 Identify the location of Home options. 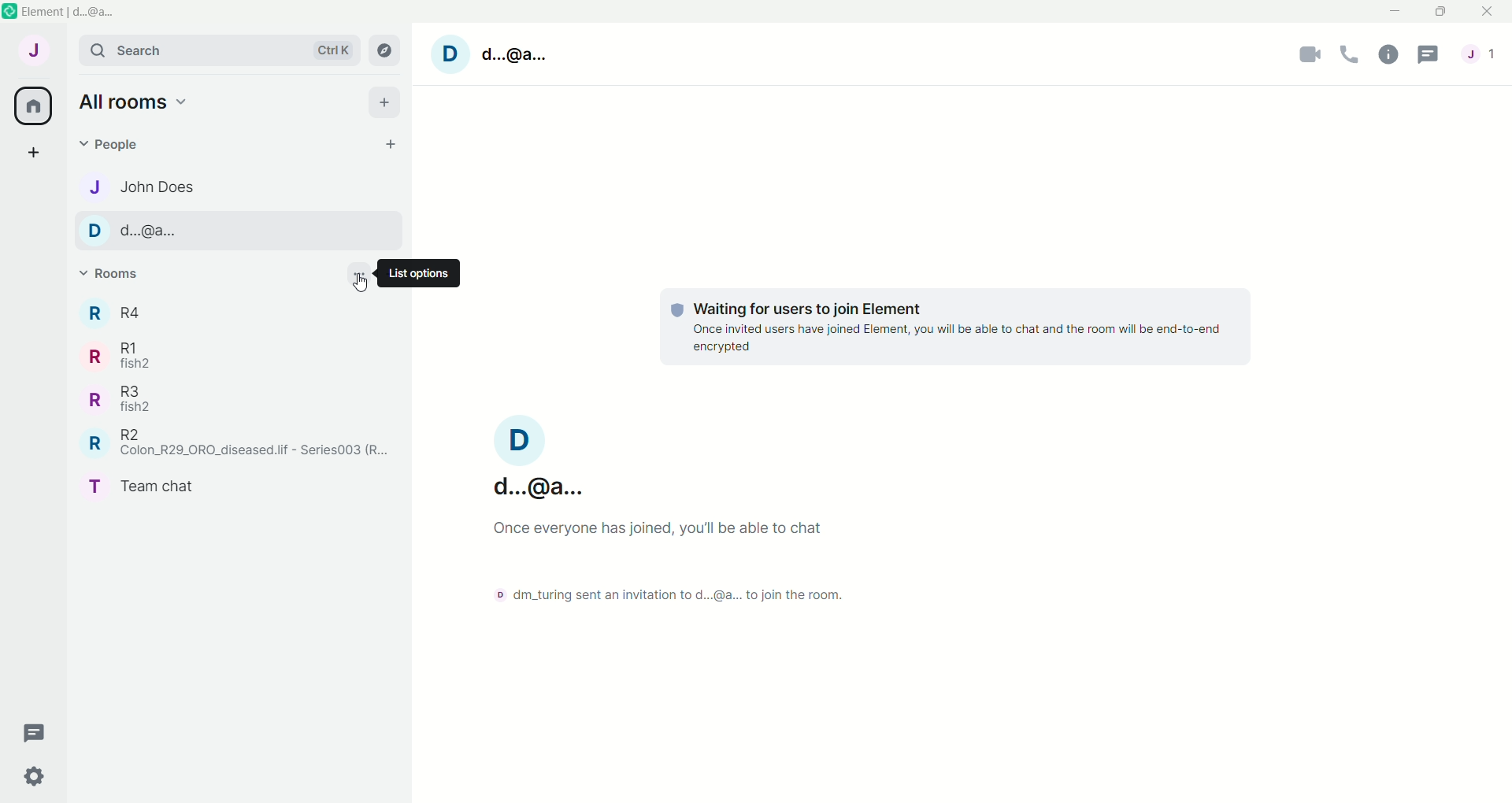
(139, 101).